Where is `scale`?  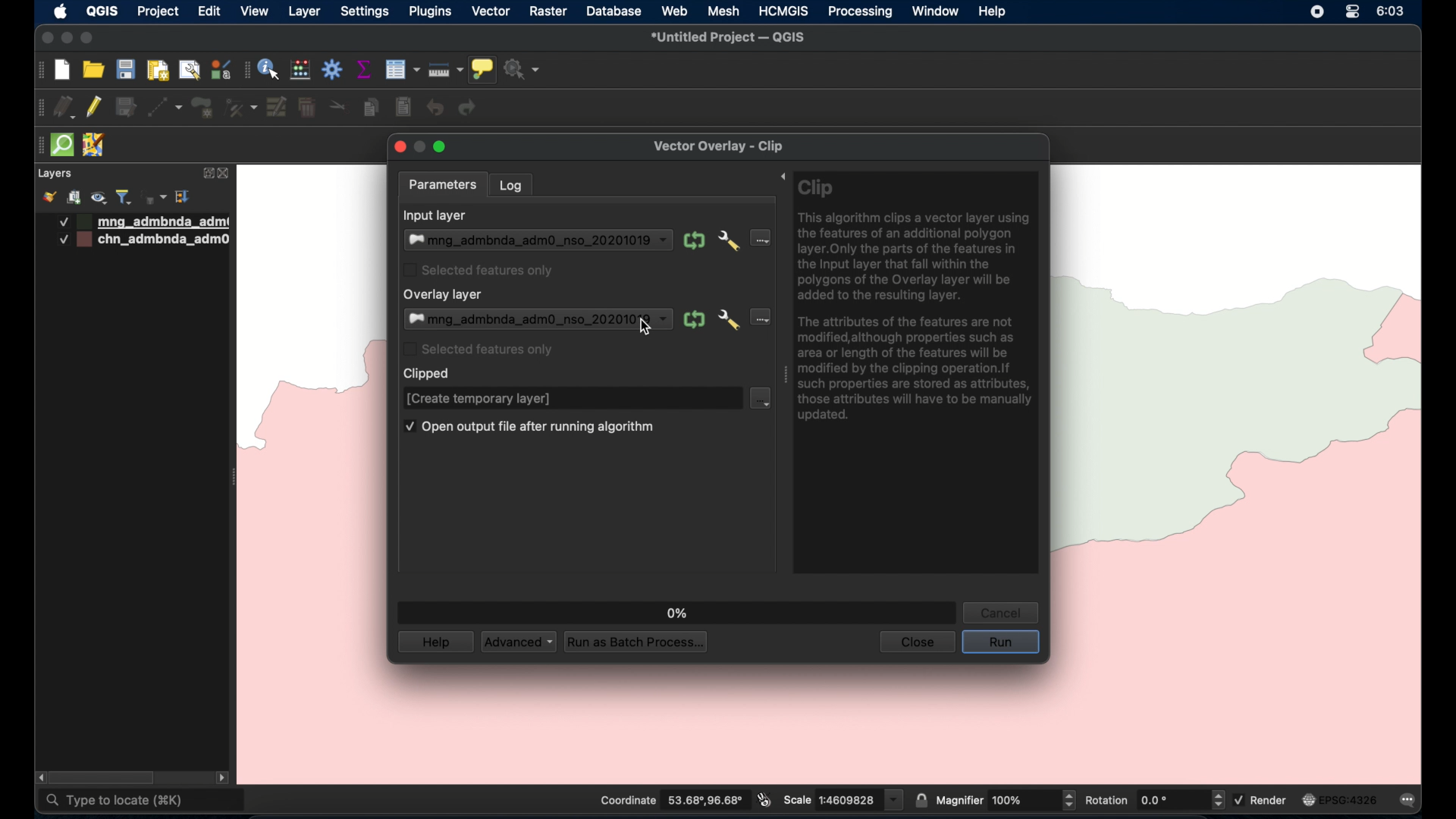 scale is located at coordinates (843, 799).